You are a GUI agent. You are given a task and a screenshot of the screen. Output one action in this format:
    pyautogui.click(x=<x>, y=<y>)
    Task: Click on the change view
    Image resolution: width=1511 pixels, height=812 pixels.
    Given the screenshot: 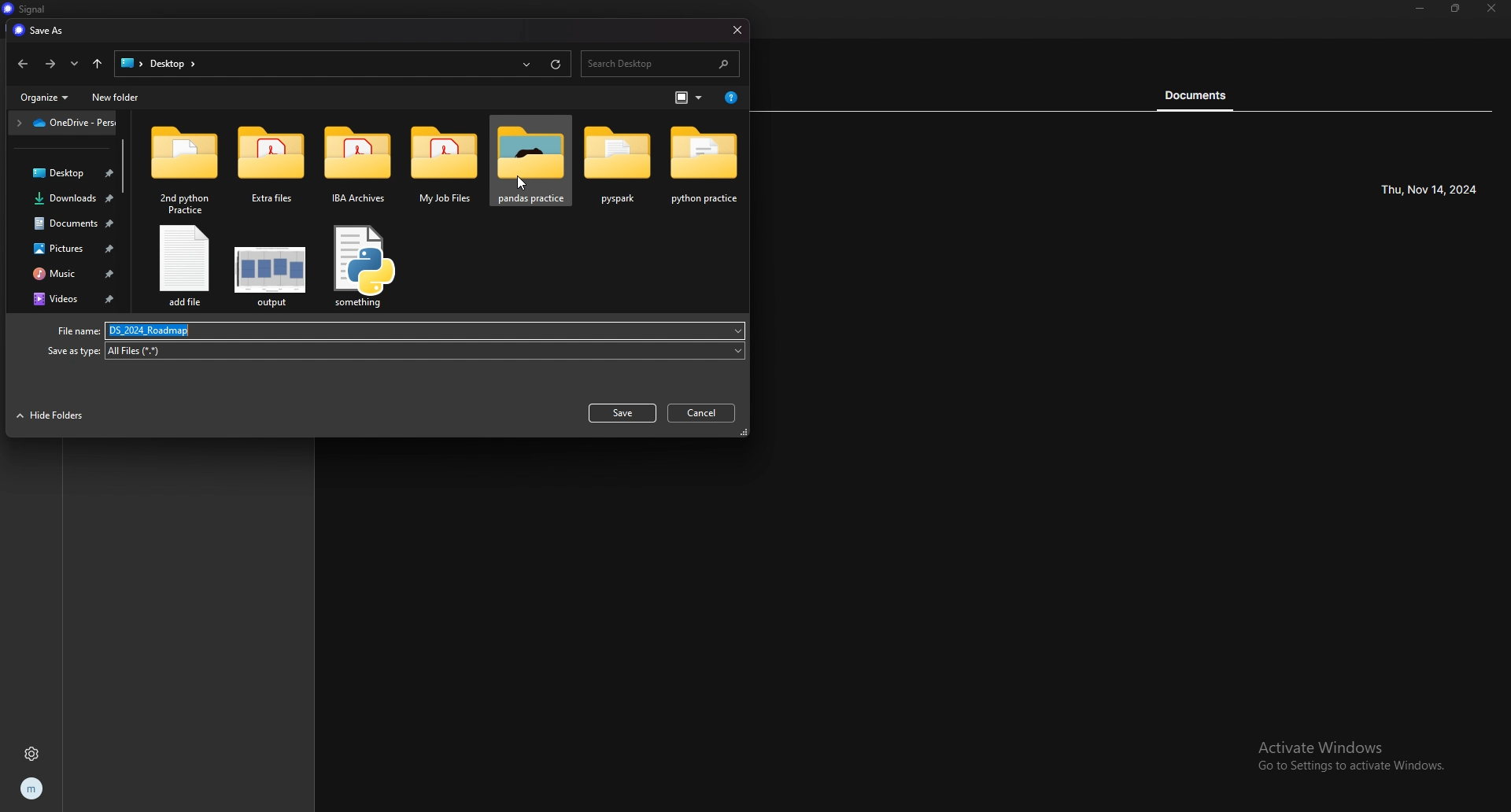 What is the action you would take?
    pyautogui.click(x=688, y=98)
    